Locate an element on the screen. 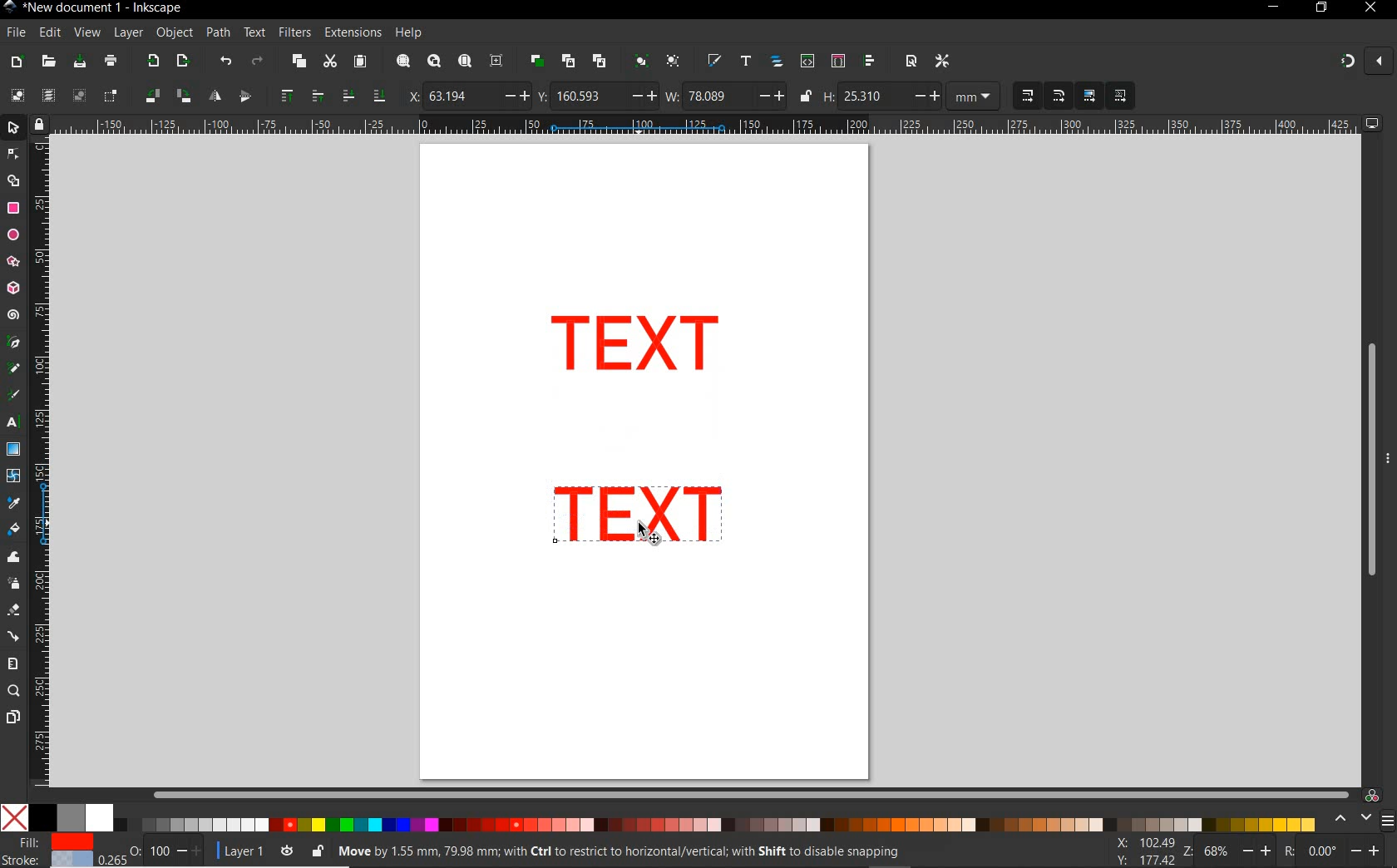 The width and height of the screenshot is (1397, 868). eraser tool is located at coordinates (12, 611).